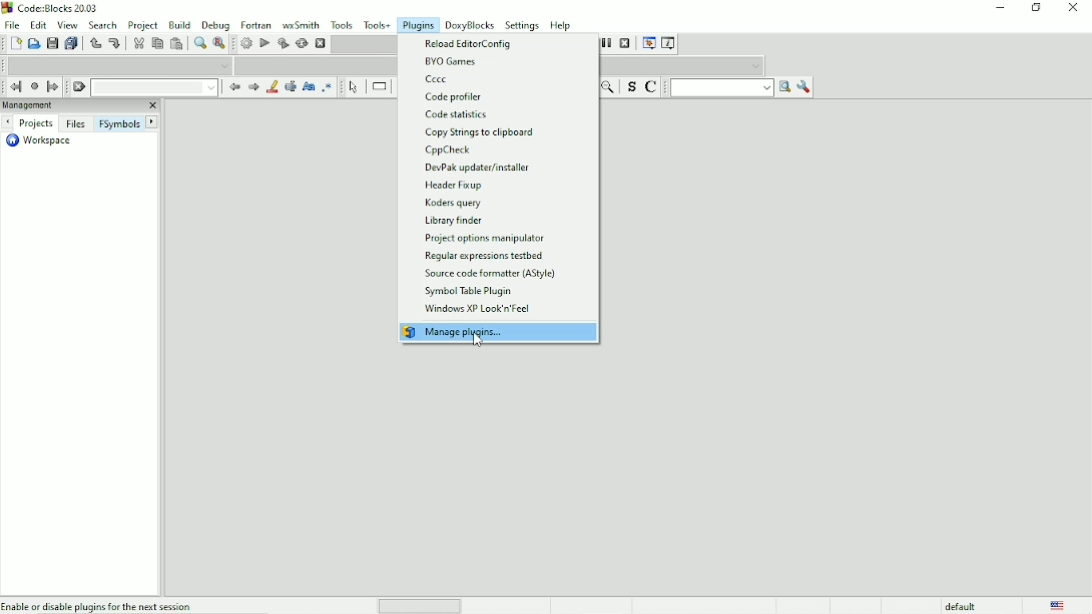 This screenshot has width=1092, height=614. I want to click on Selected text, so click(289, 87).